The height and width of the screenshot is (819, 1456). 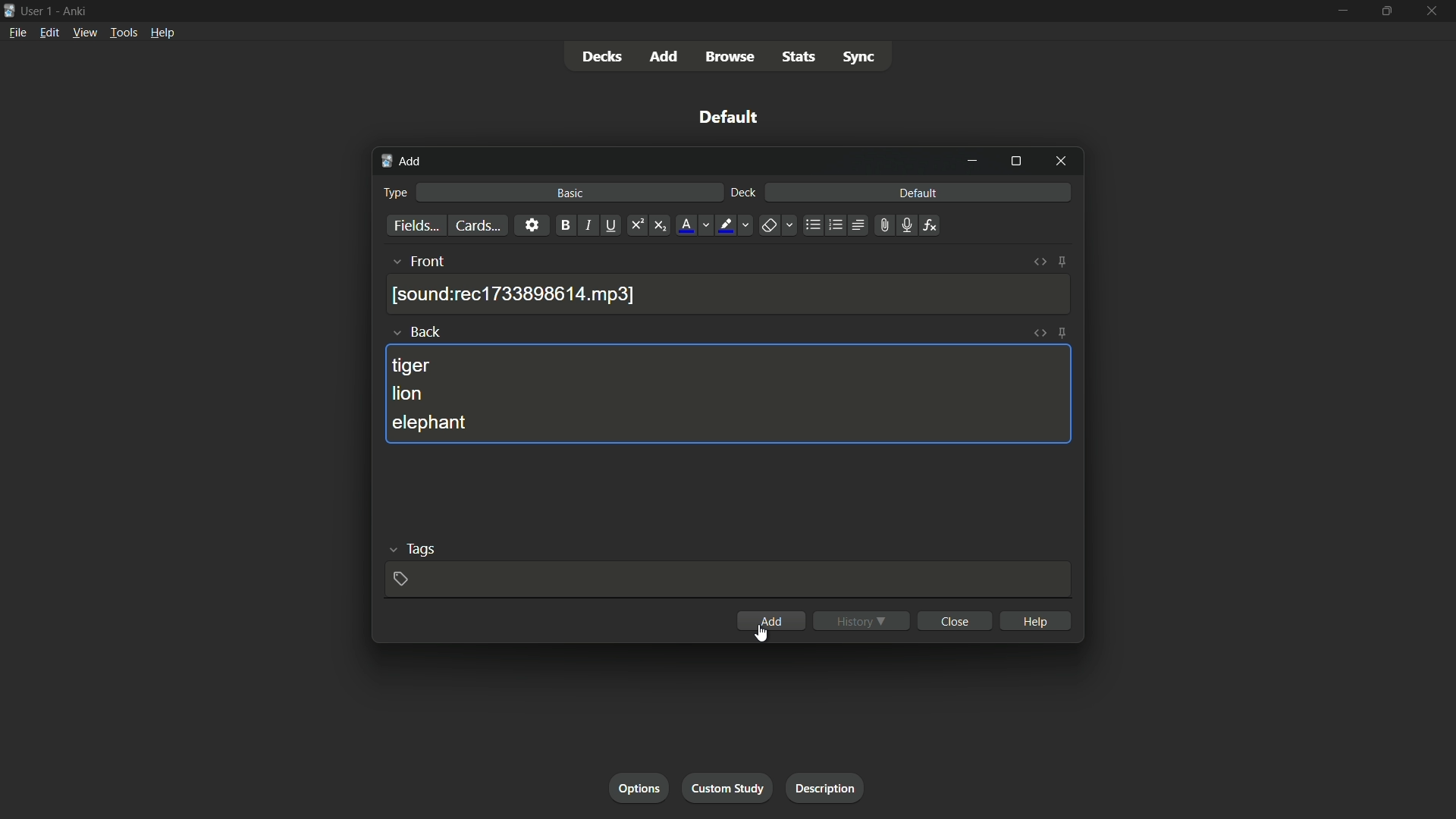 What do you see at coordinates (516, 294) in the screenshot?
I see `recording saved` at bounding box center [516, 294].